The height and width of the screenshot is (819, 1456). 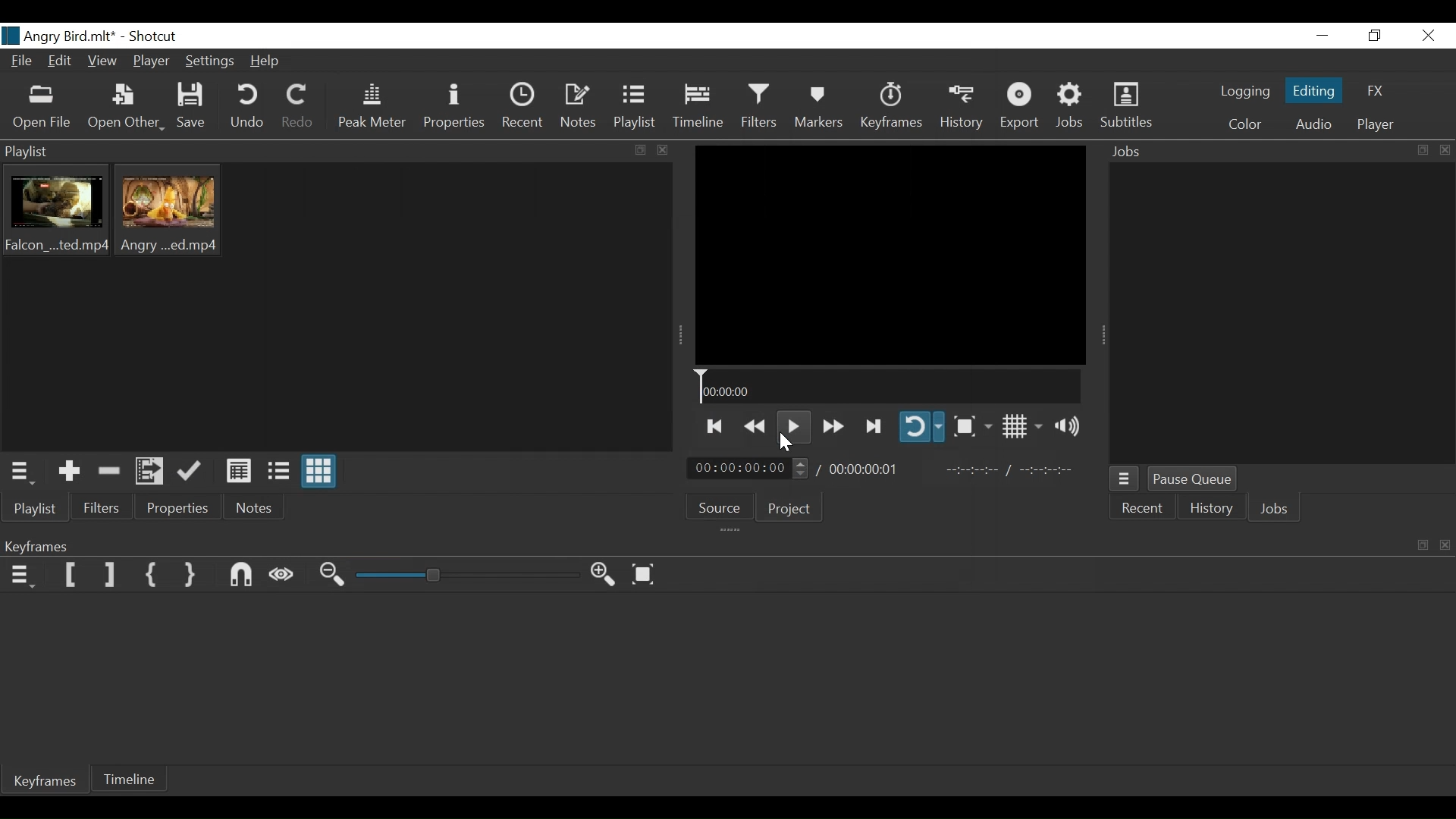 I want to click on Add files to Playlist, so click(x=148, y=472).